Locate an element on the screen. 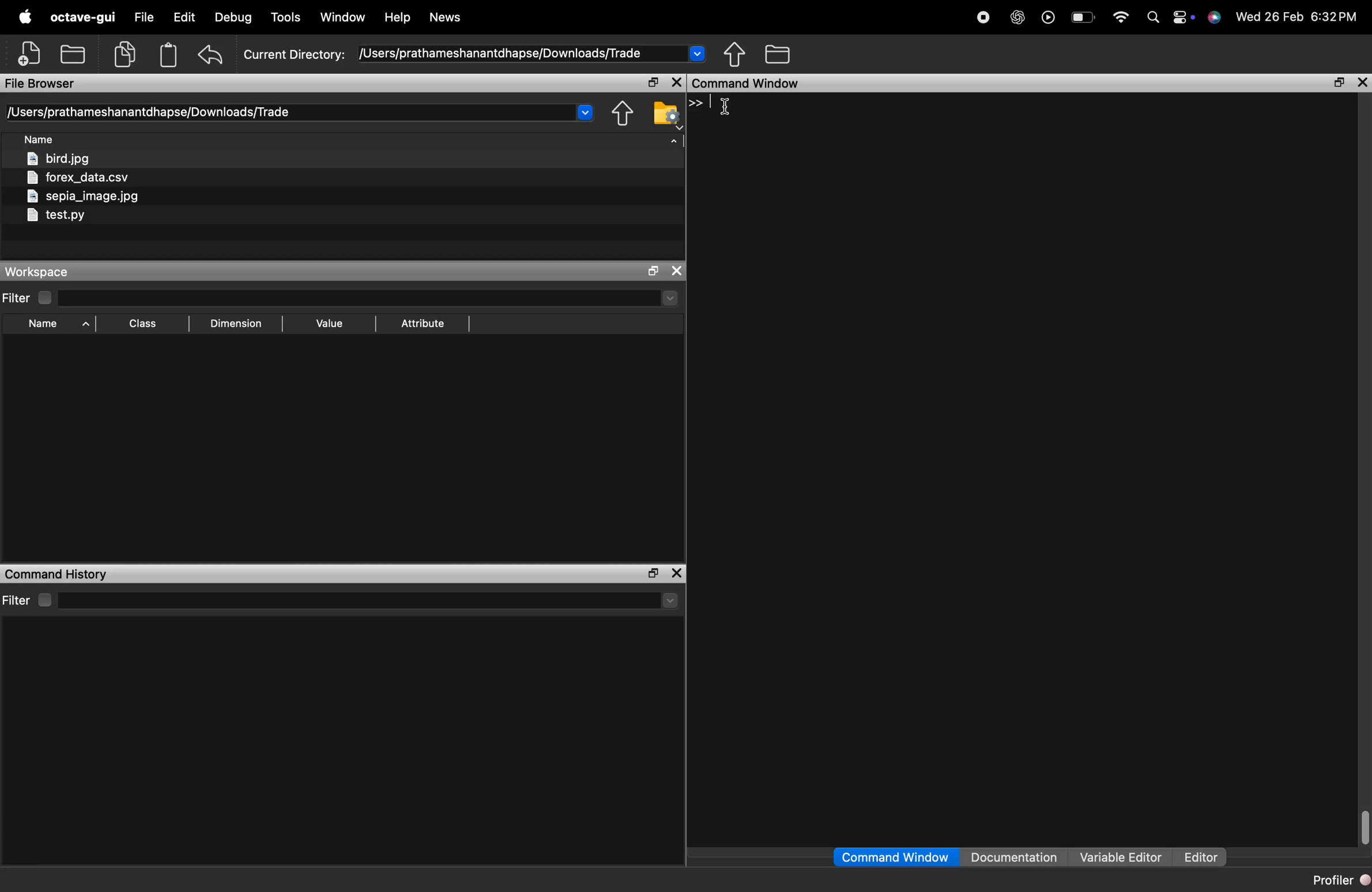  date and time is located at coordinates (1299, 18).